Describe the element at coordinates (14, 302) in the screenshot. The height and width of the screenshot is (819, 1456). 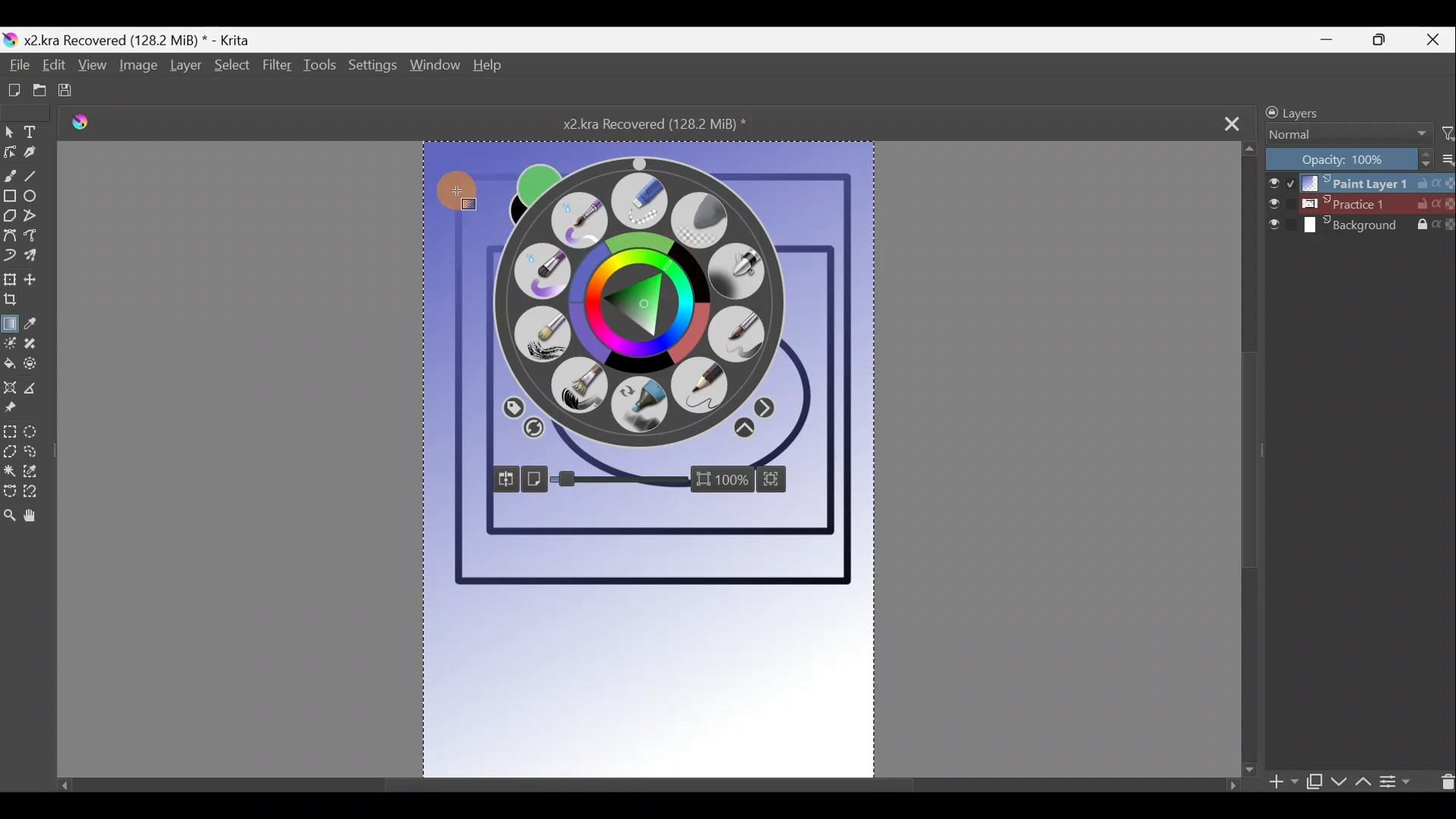
I see `Crop the image to an area` at that location.